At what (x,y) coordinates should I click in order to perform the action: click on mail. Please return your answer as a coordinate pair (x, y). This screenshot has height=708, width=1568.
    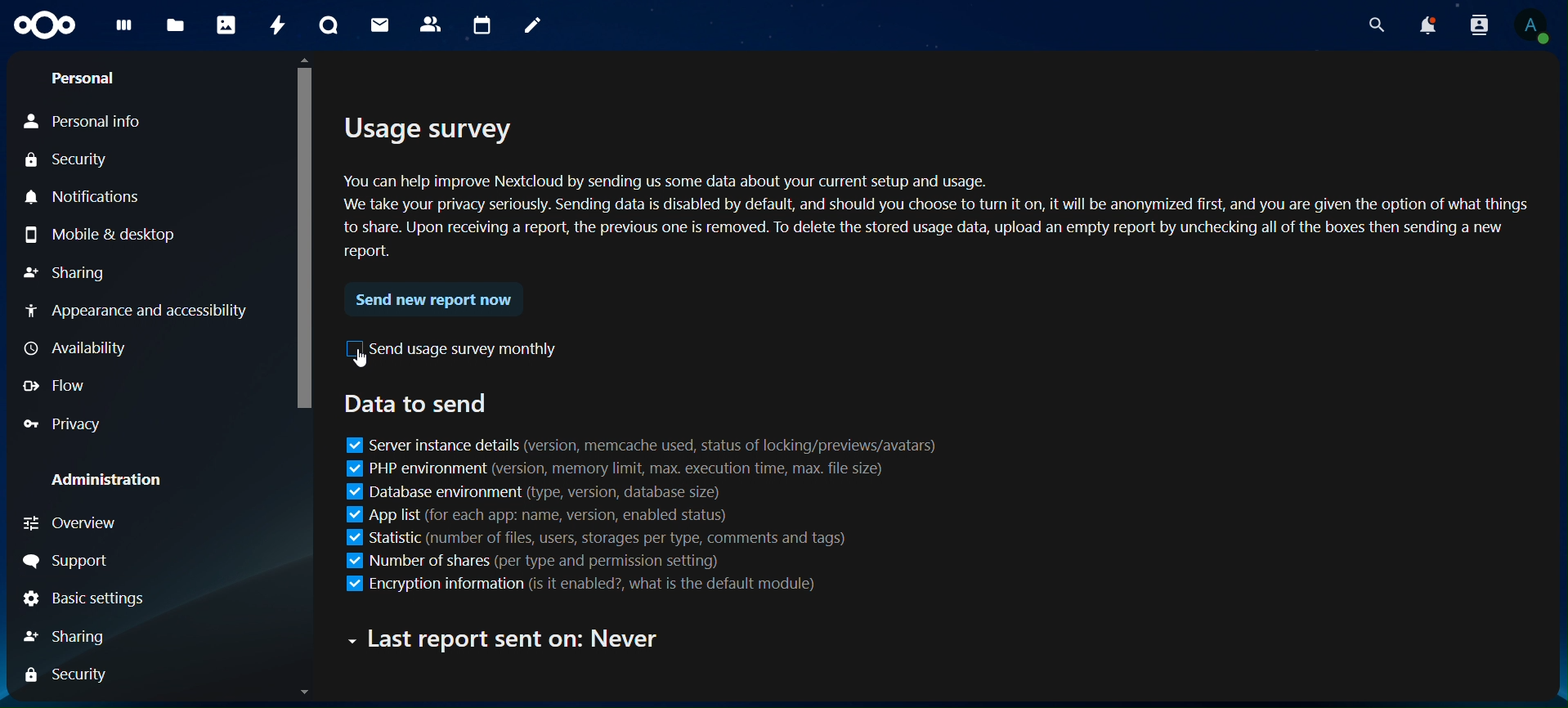
    Looking at the image, I should click on (380, 25).